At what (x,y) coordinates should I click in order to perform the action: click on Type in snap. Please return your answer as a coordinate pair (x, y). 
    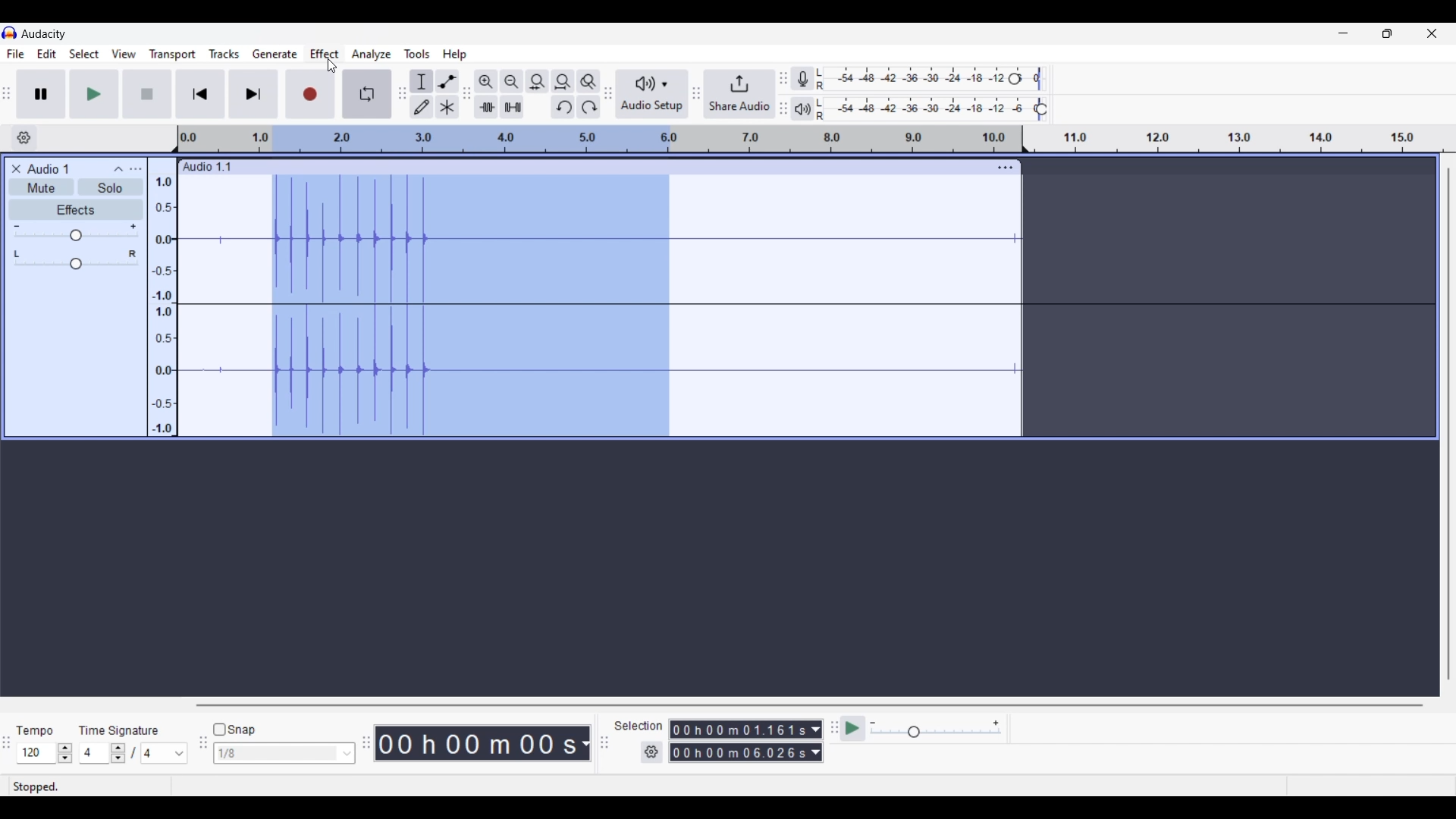
    Looking at the image, I should click on (277, 754).